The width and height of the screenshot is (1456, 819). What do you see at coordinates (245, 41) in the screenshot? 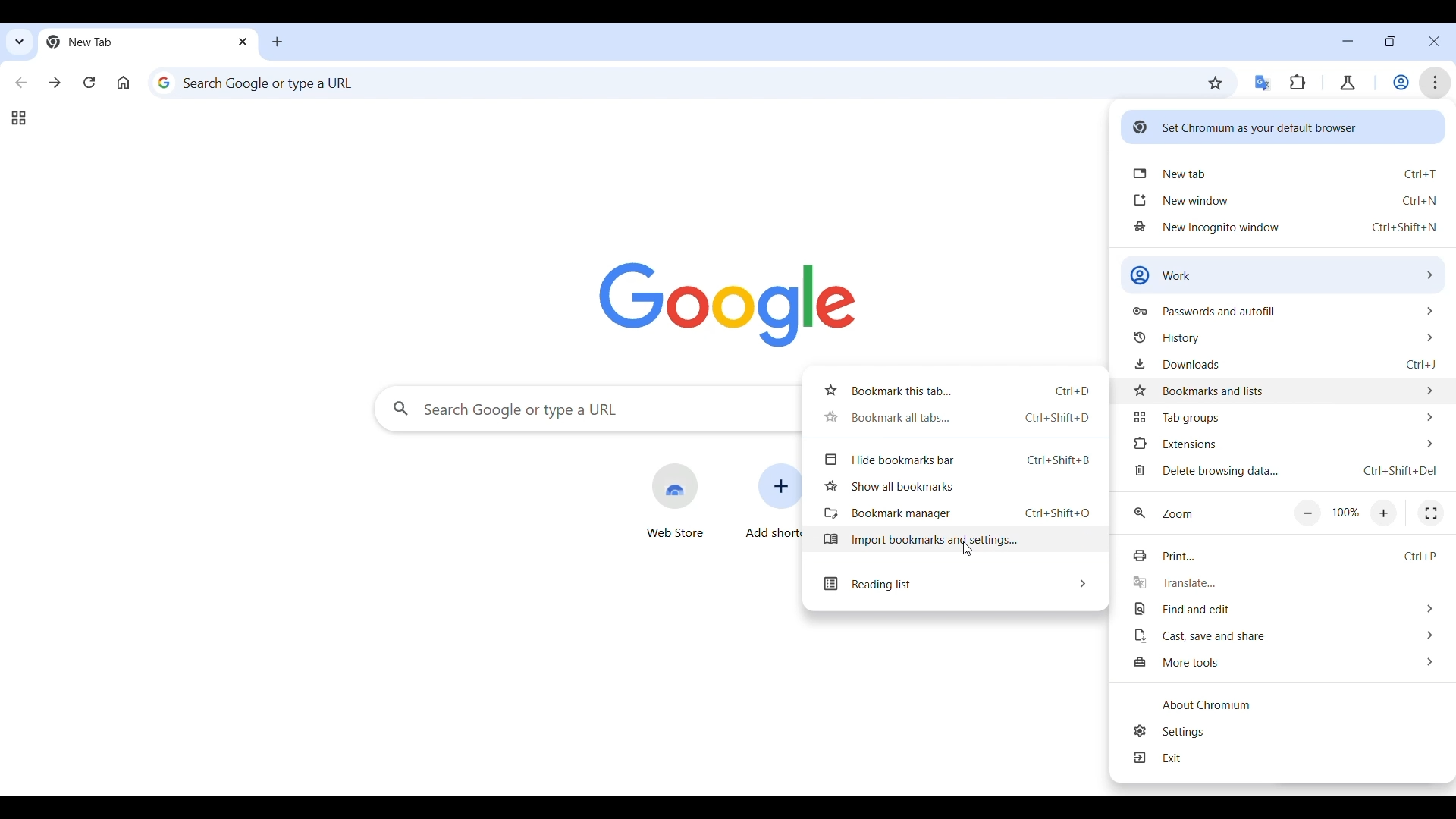
I see `Close tab` at bounding box center [245, 41].